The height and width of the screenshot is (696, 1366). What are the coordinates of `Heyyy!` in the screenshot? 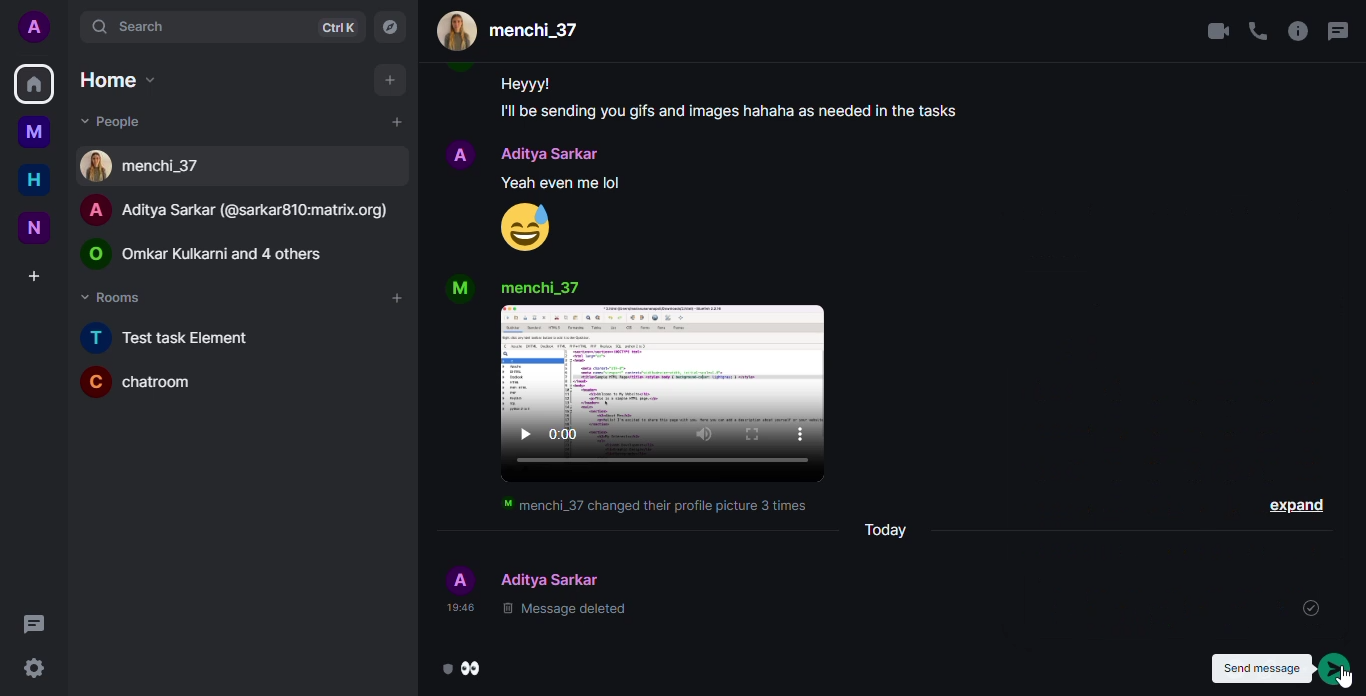 It's located at (526, 84).